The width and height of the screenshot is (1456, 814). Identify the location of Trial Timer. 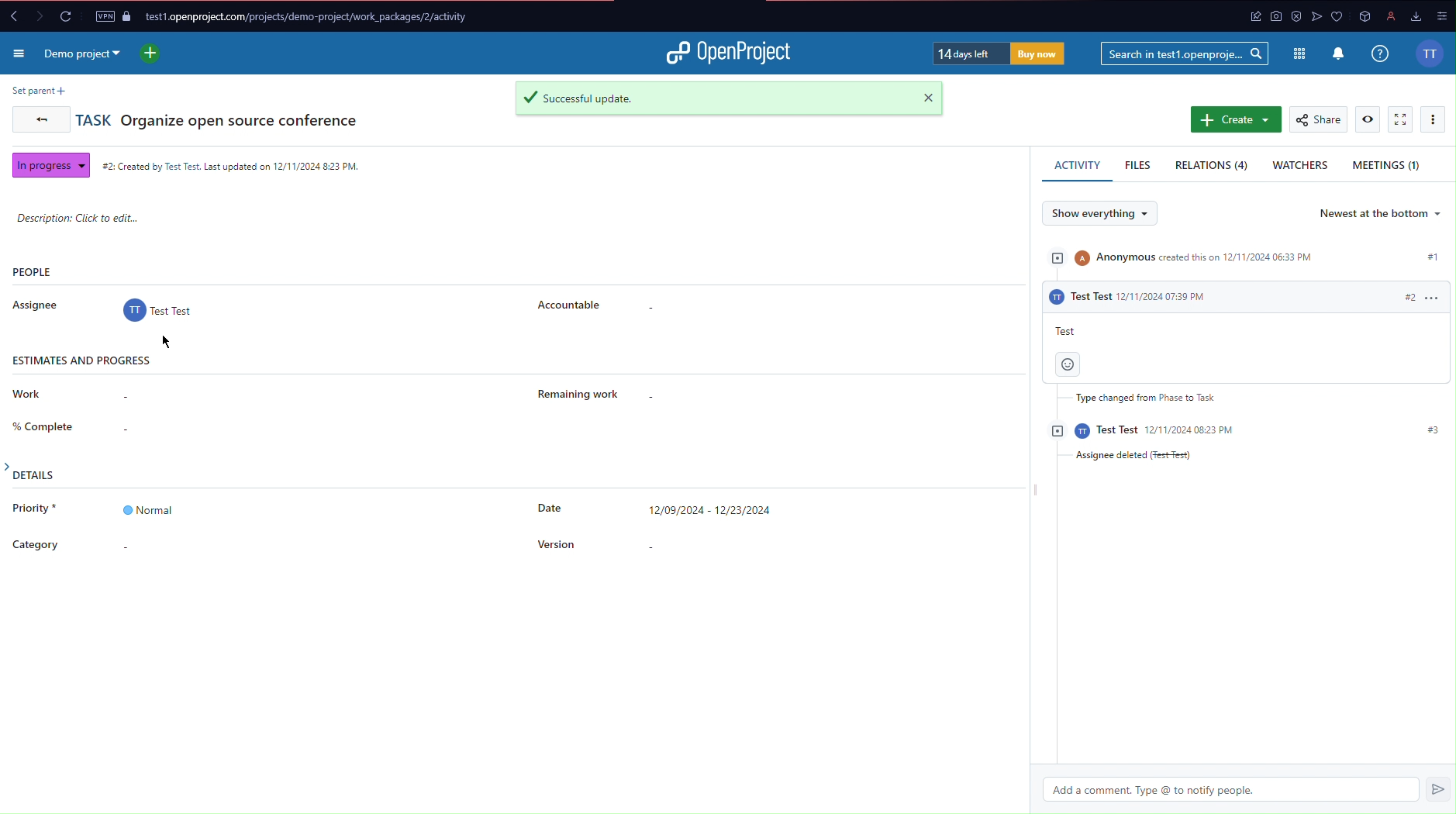
(999, 52).